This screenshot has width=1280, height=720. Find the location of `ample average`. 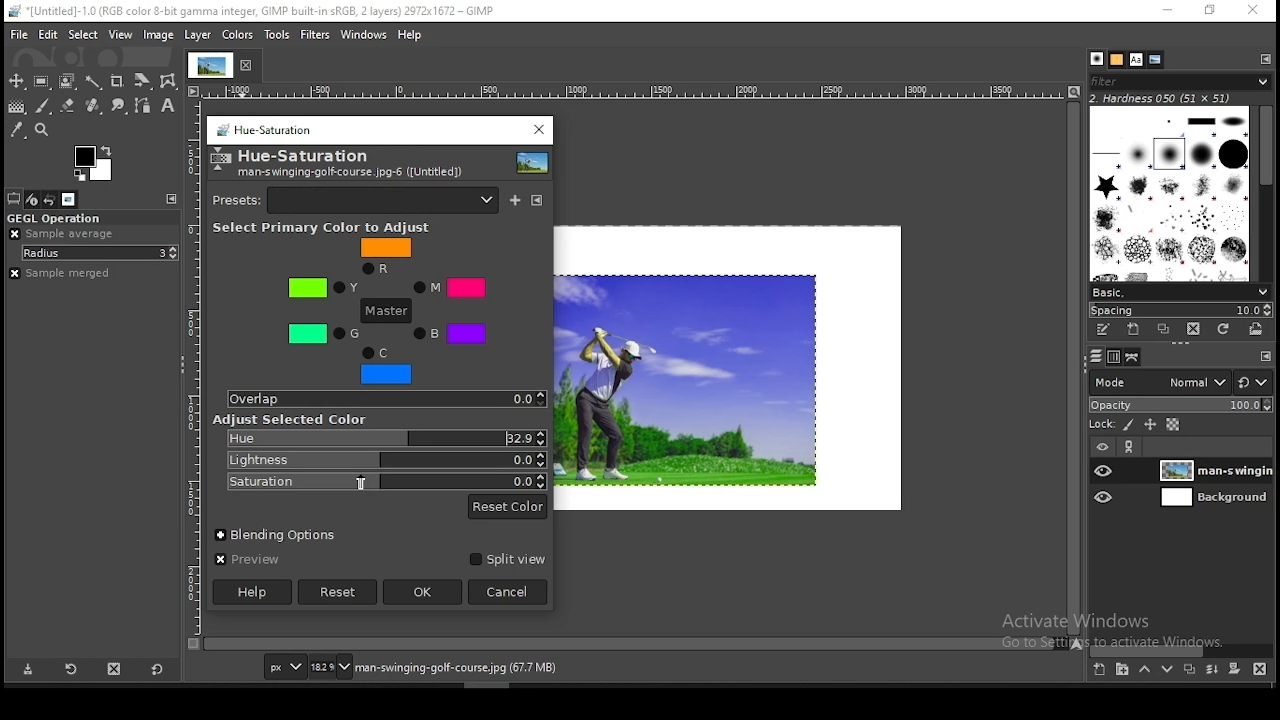

ample average is located at coordinates (63, 233).